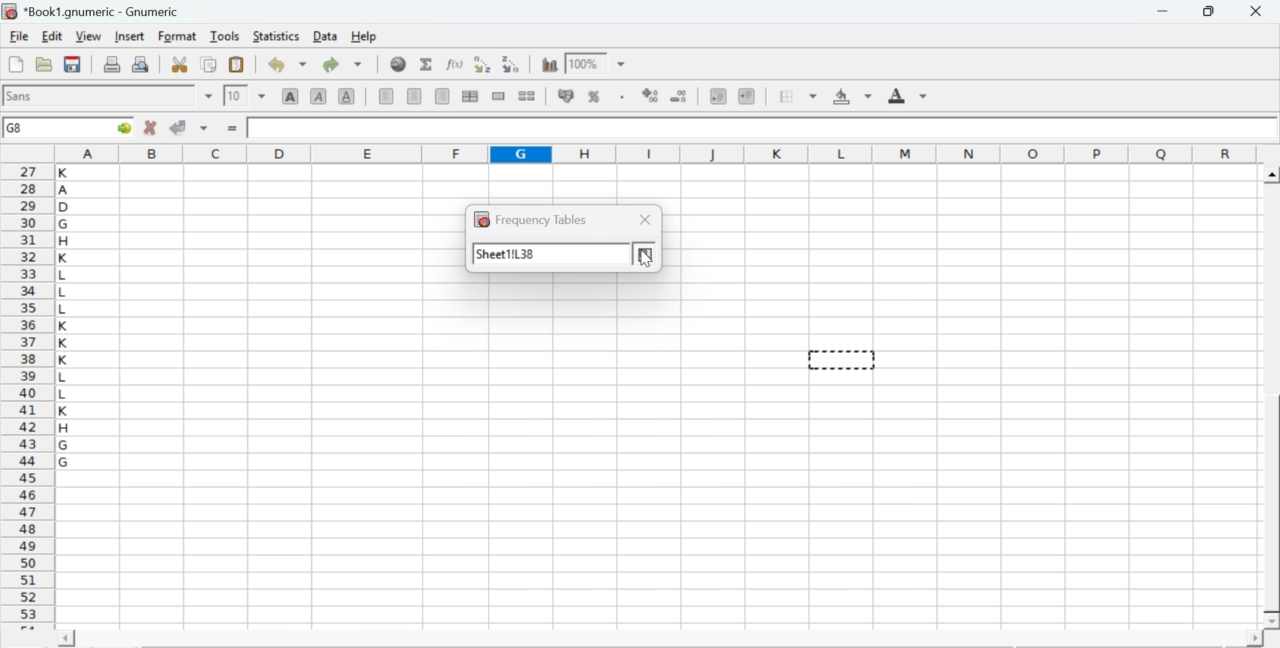 The height and width of the screenshot is (648, 1280). What do you see at coordinates (42, 64) in the screenshot?
I see `open` at bounding box center [42, 64].